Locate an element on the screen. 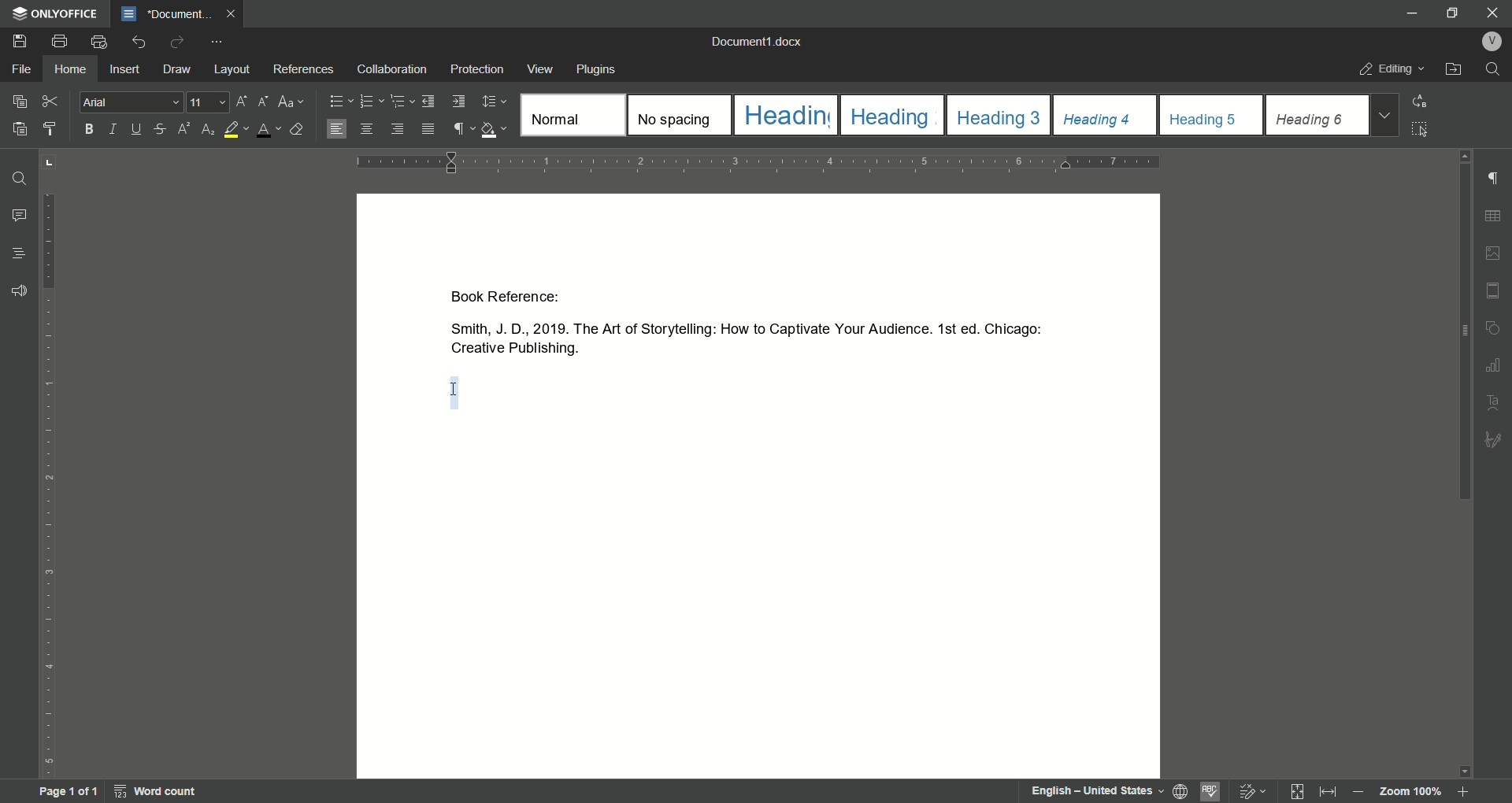 Image resolution: width=1512 pixels, height=803 pixels. more is located at coordinates (217, 43).